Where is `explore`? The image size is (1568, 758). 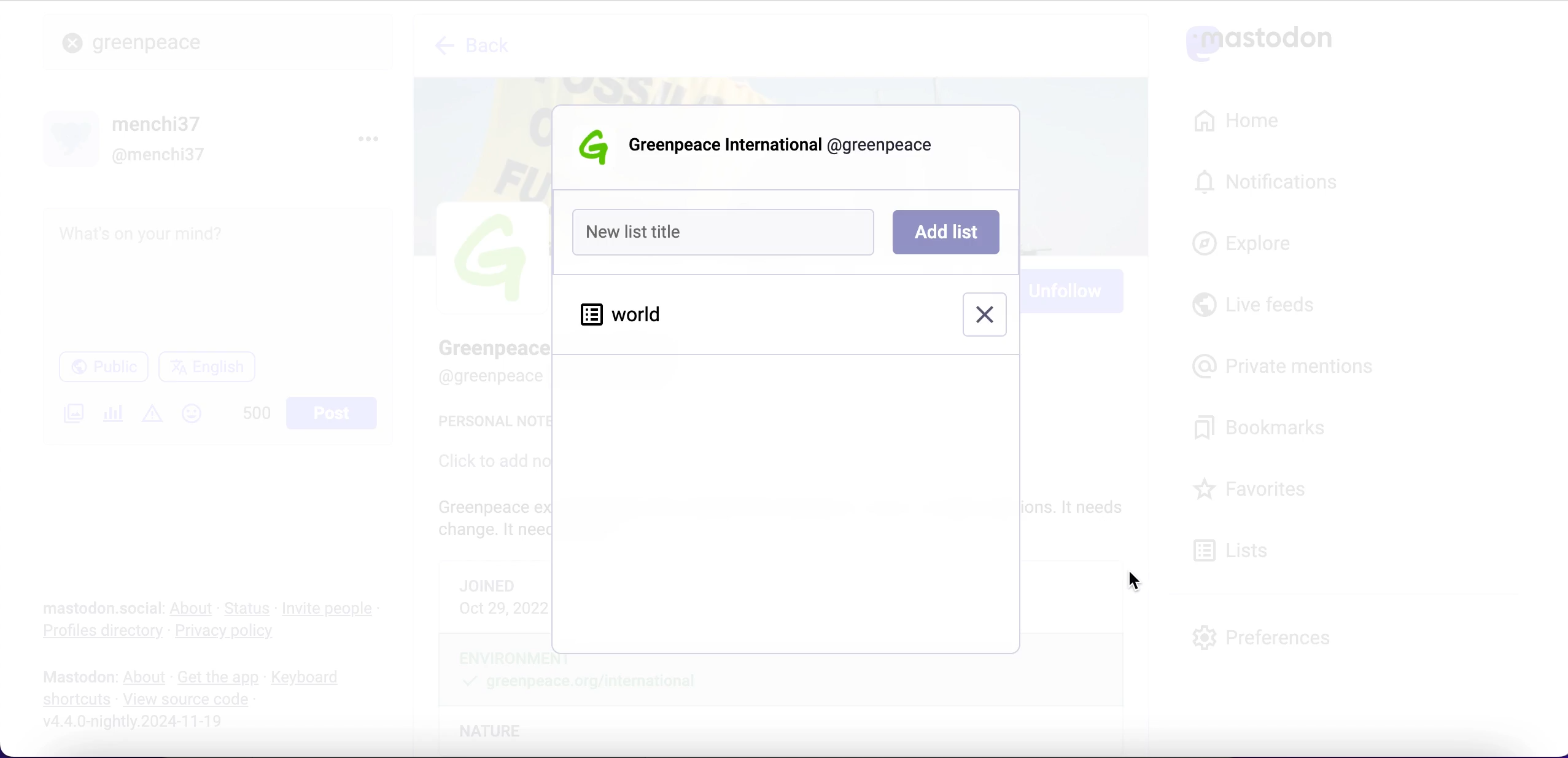
explore is located at coordinates (1254, 244).